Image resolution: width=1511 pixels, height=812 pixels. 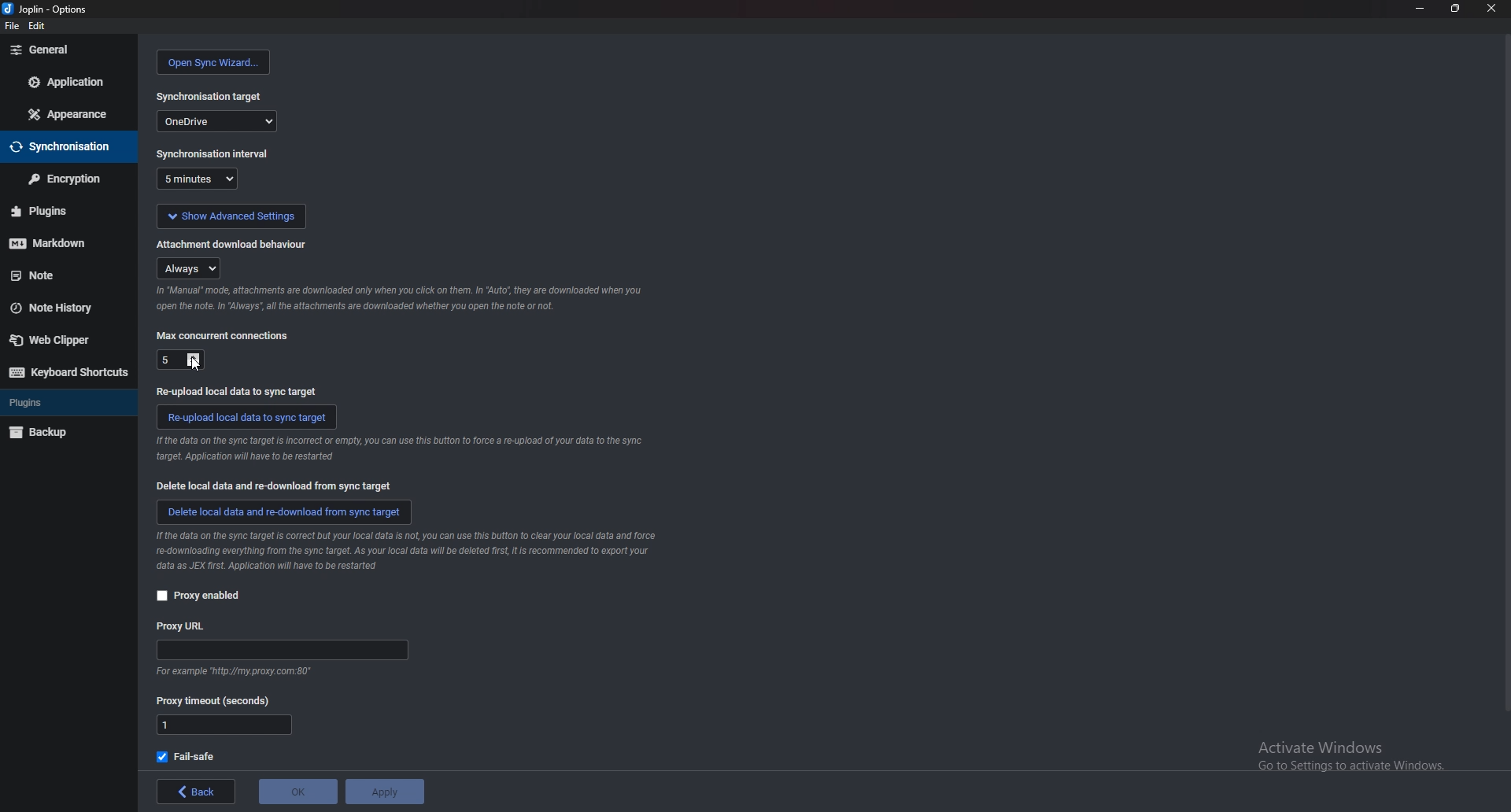 I want to click on scroll bar, so click(x=1503, y=383).